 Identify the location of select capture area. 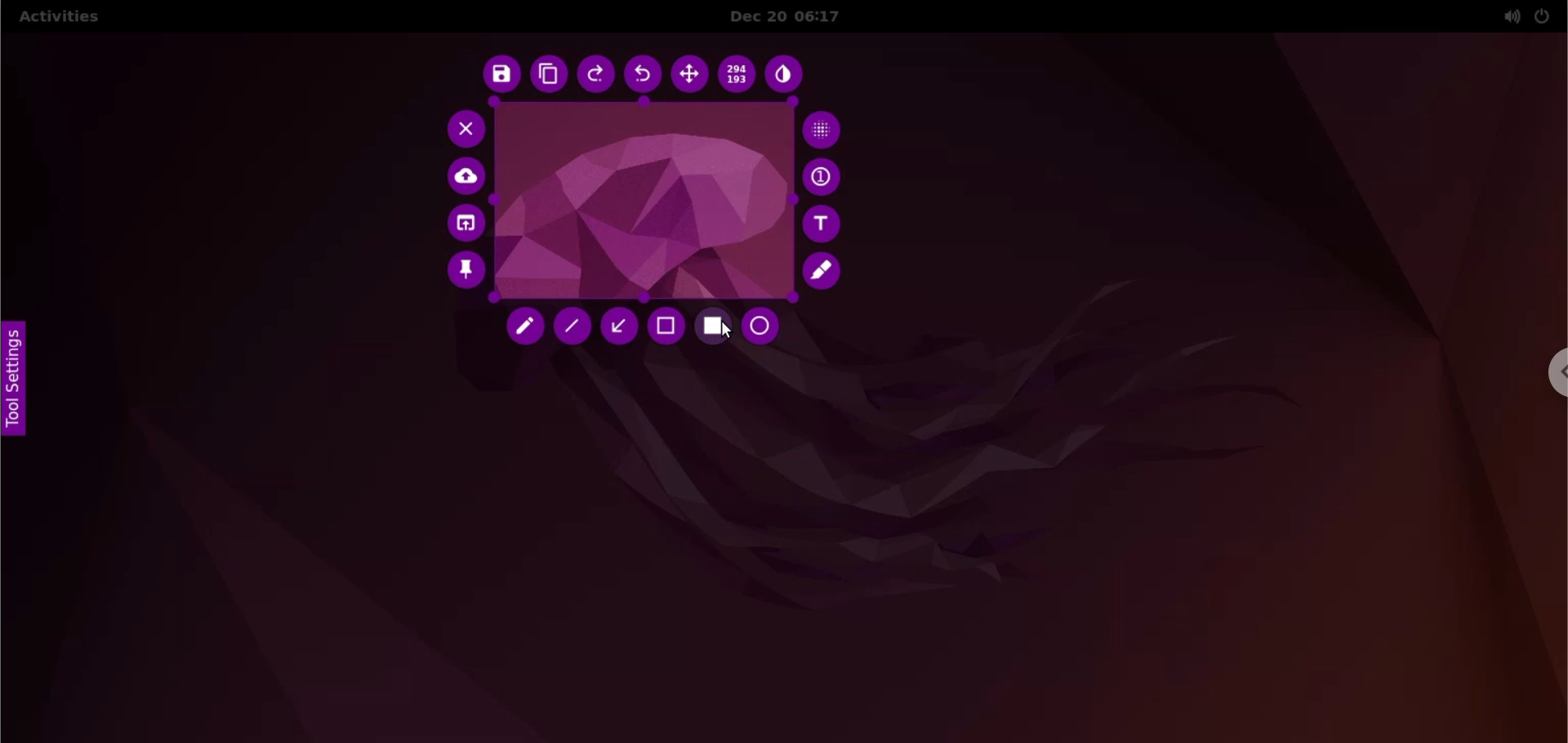
(640, 202).